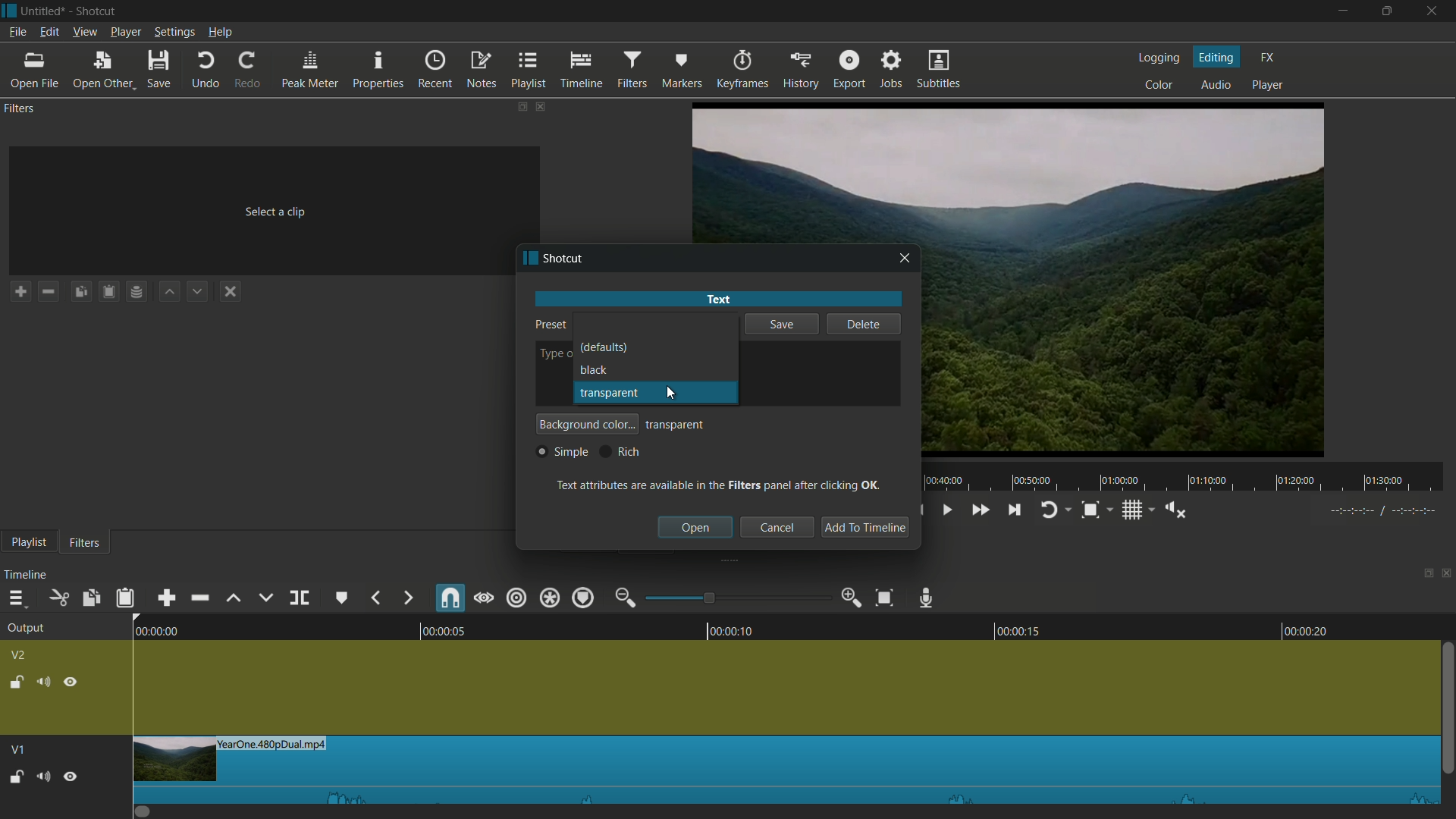  What do you see at coordinates (483, 69) in the screenshot?
I see `notes` at bounding box center [483, 69].